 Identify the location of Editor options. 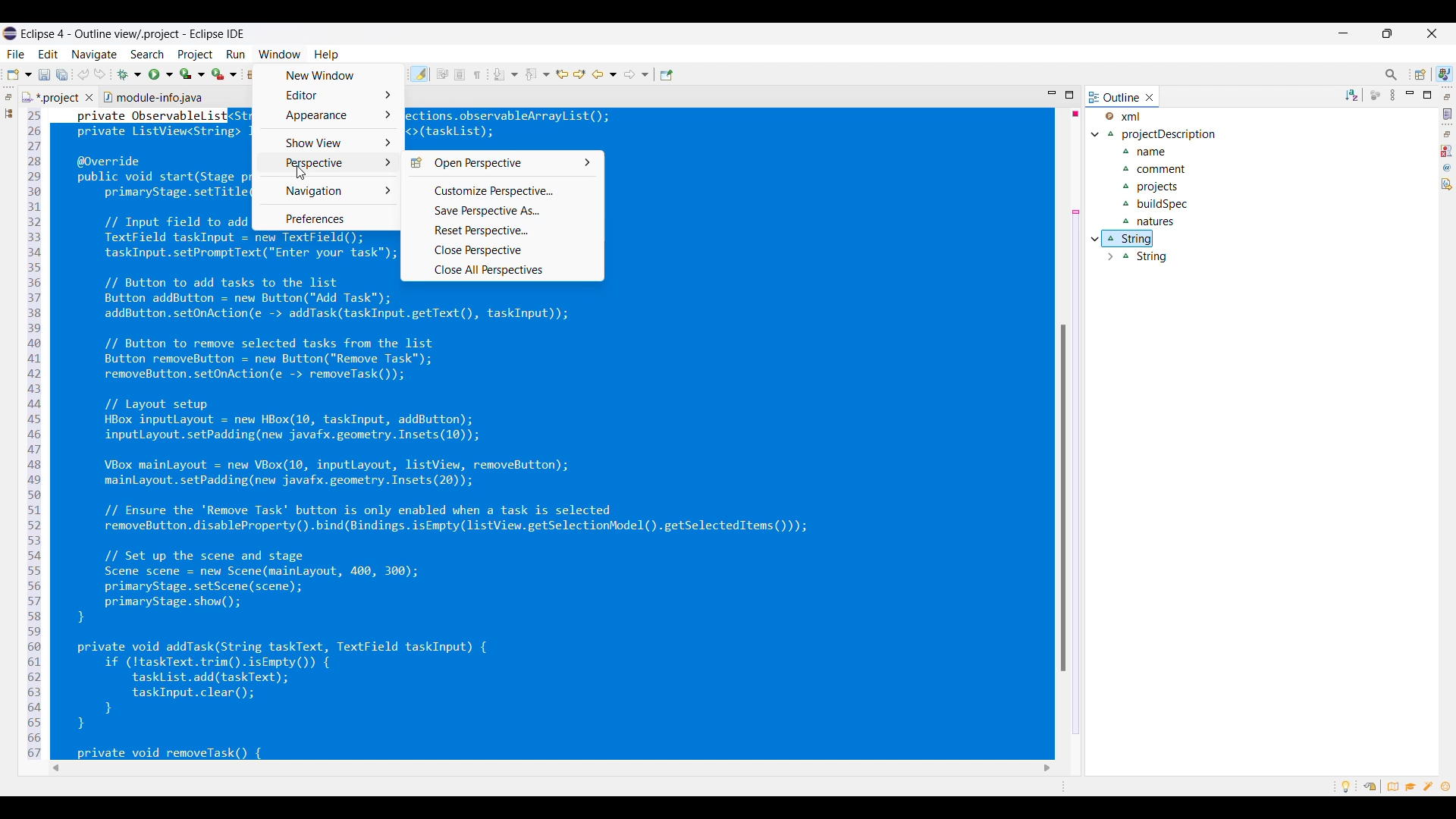
(328, 95).